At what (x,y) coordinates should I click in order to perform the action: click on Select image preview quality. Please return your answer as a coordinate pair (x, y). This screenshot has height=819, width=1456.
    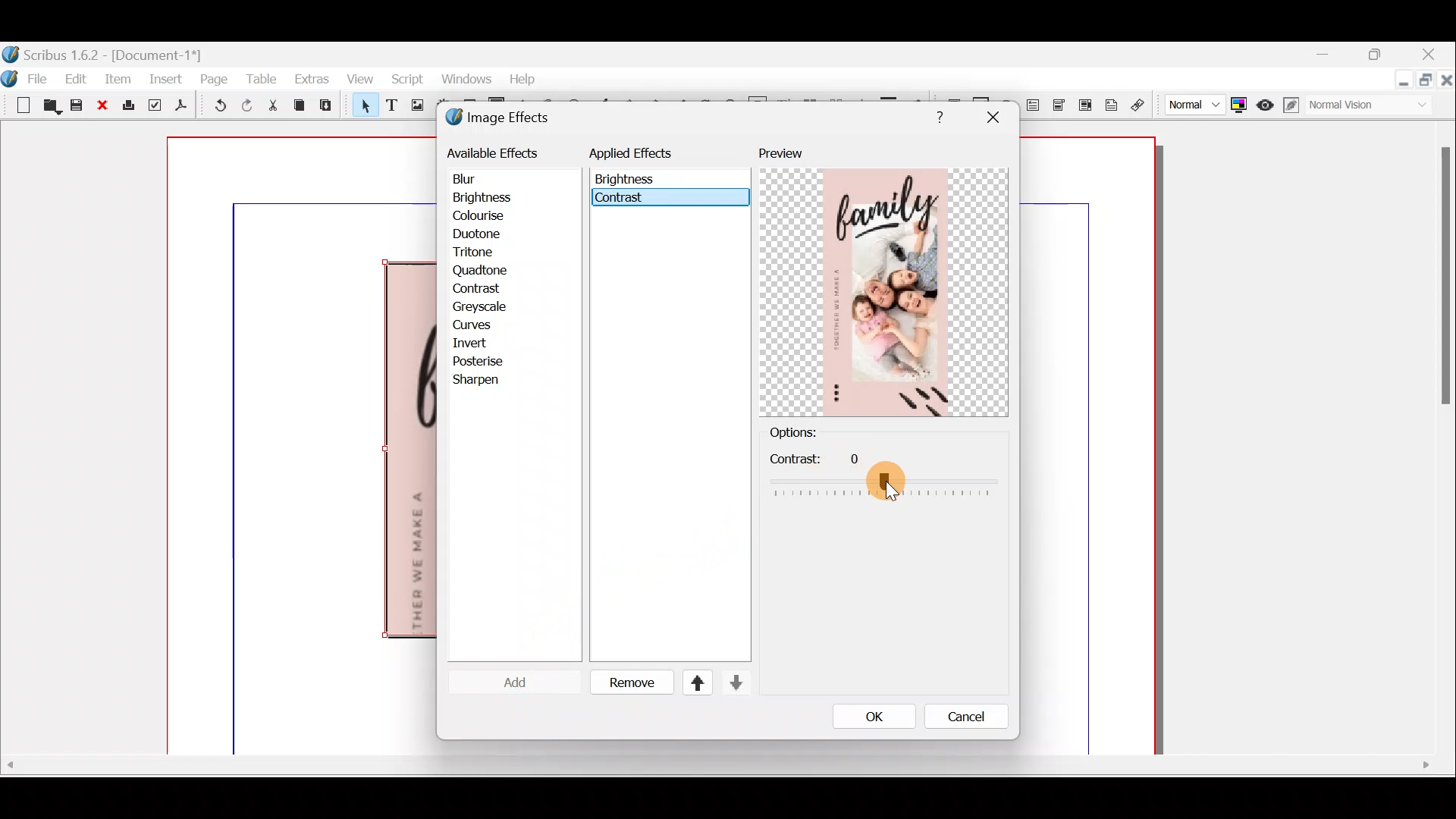
    Looking at the image, I should click on (1191, 103).